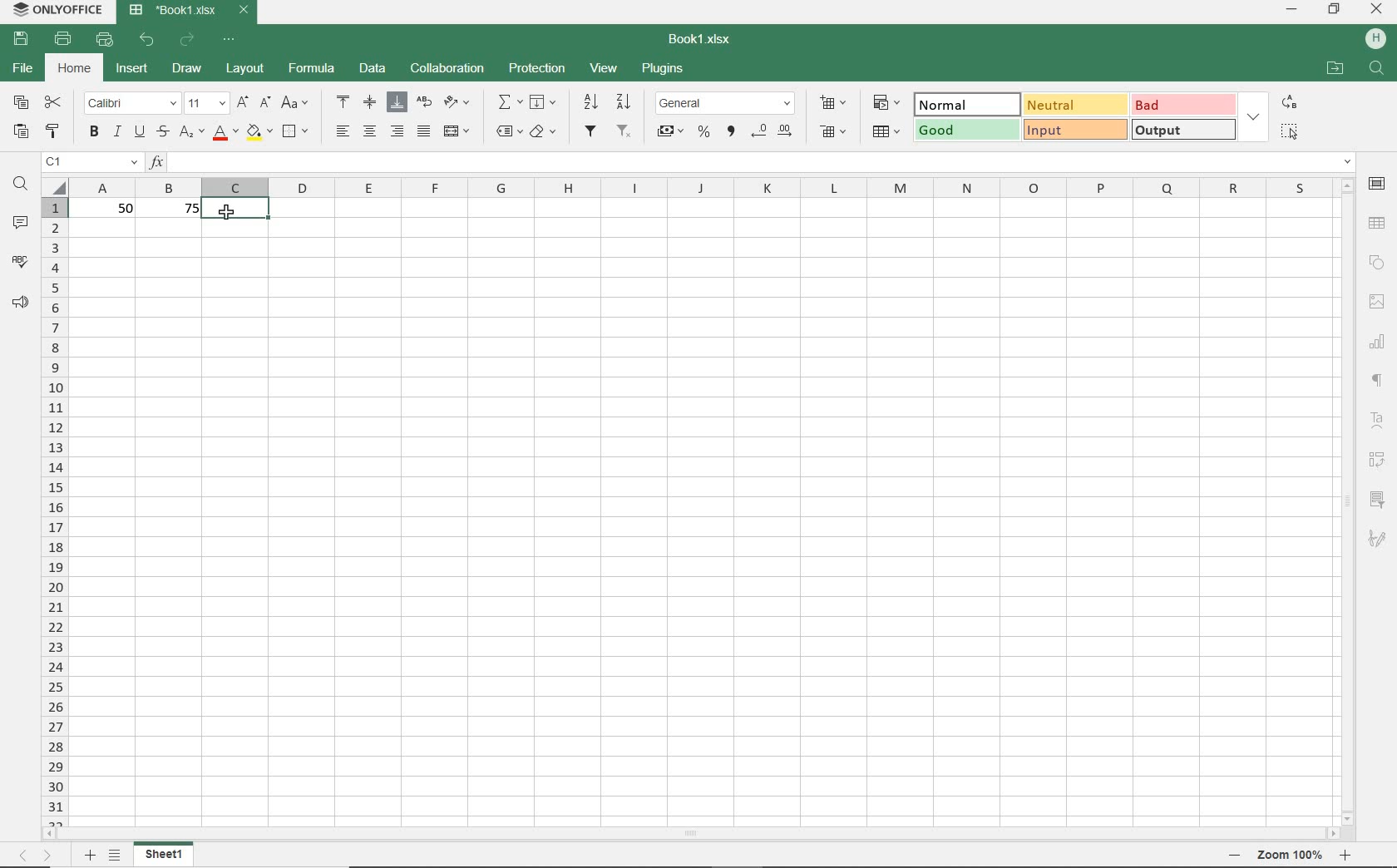 The width and height of the screenshot is (1397, 868). I want to click on cell settings, so click(1377, 185).